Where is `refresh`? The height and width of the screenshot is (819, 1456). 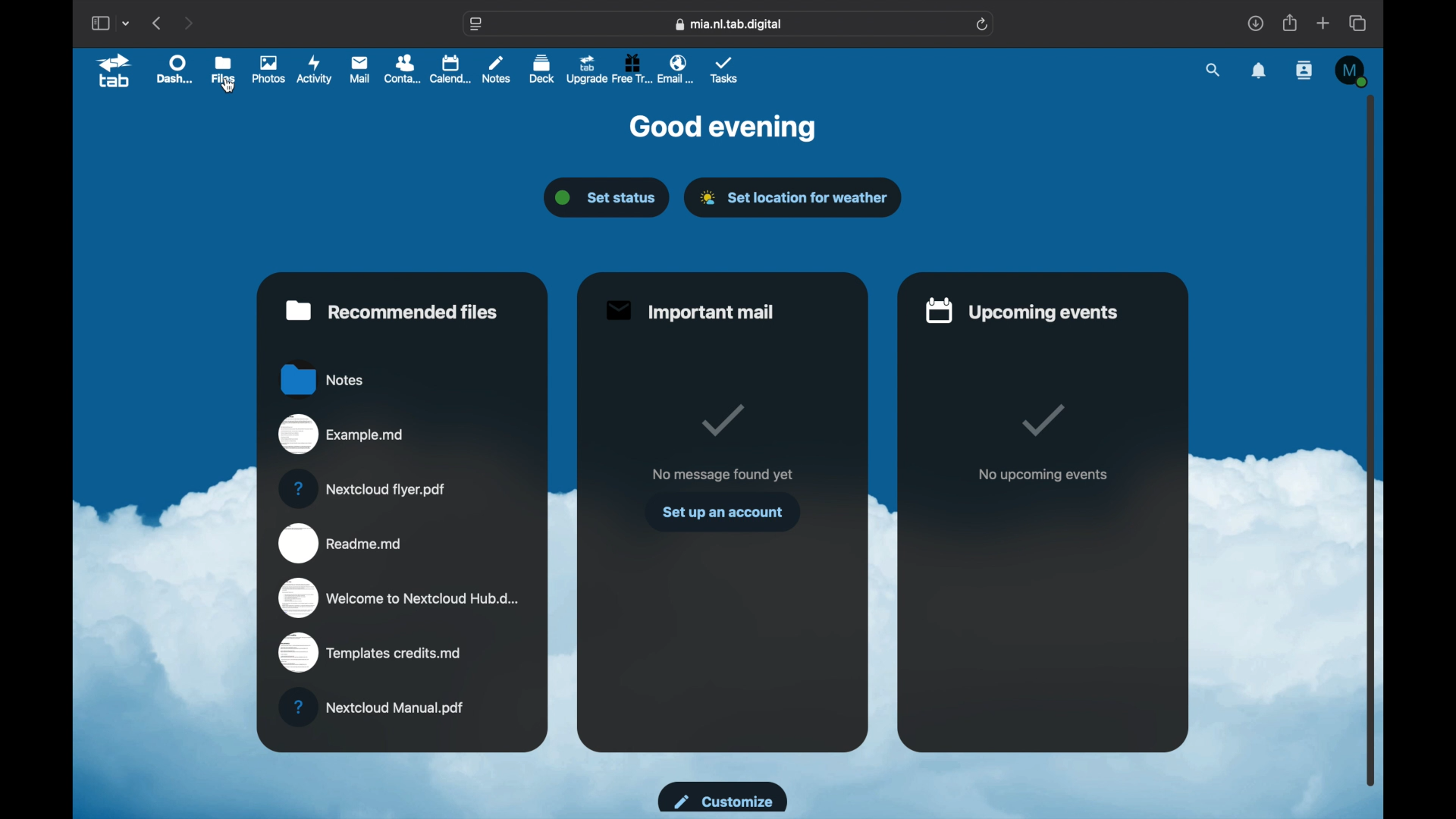
refresh is located at coordinates (984, 25).